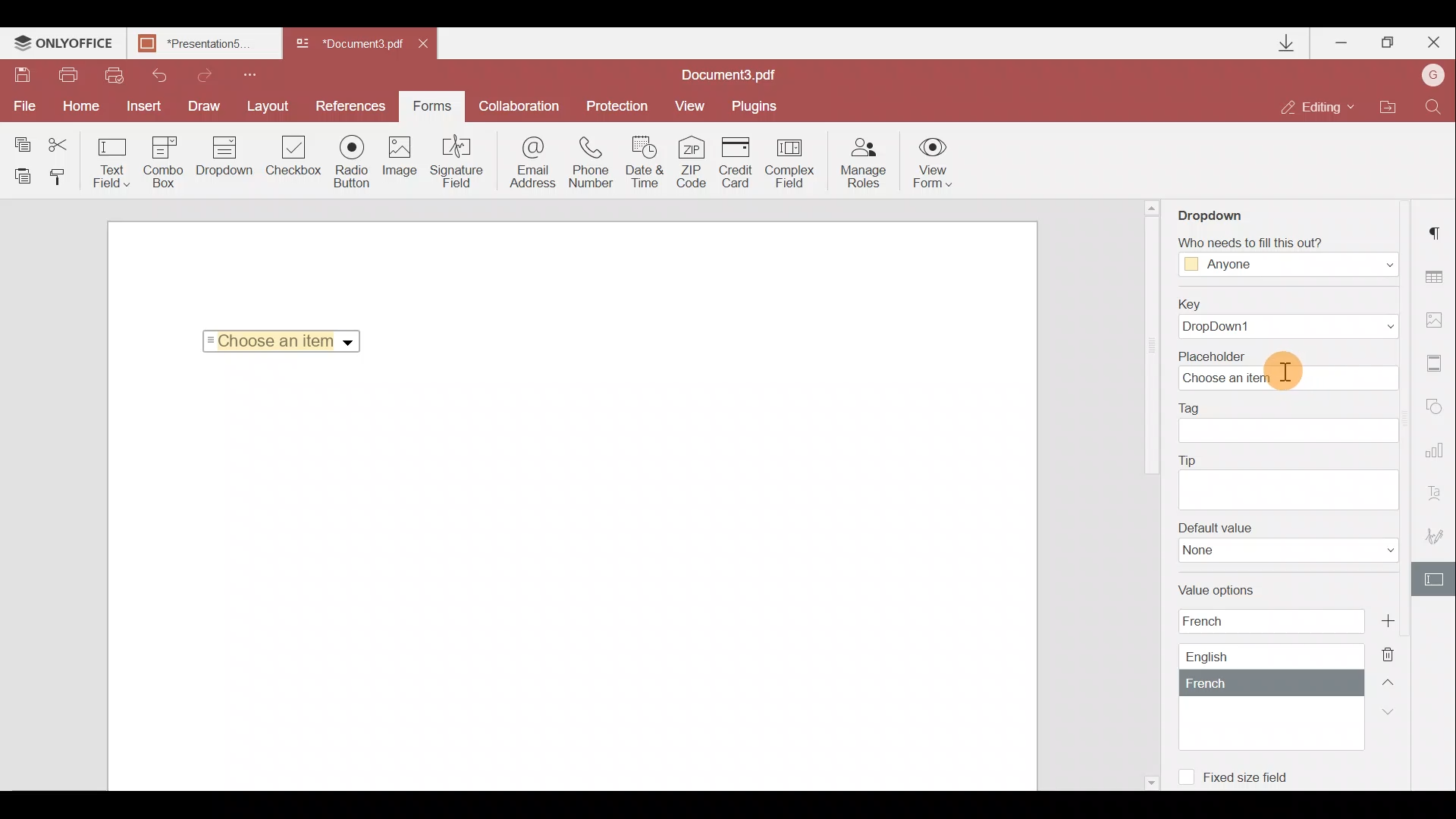  What do you see at coordinates (615, 105) in the screenshot?
I see `Protection` at bounding box center [615, 105].